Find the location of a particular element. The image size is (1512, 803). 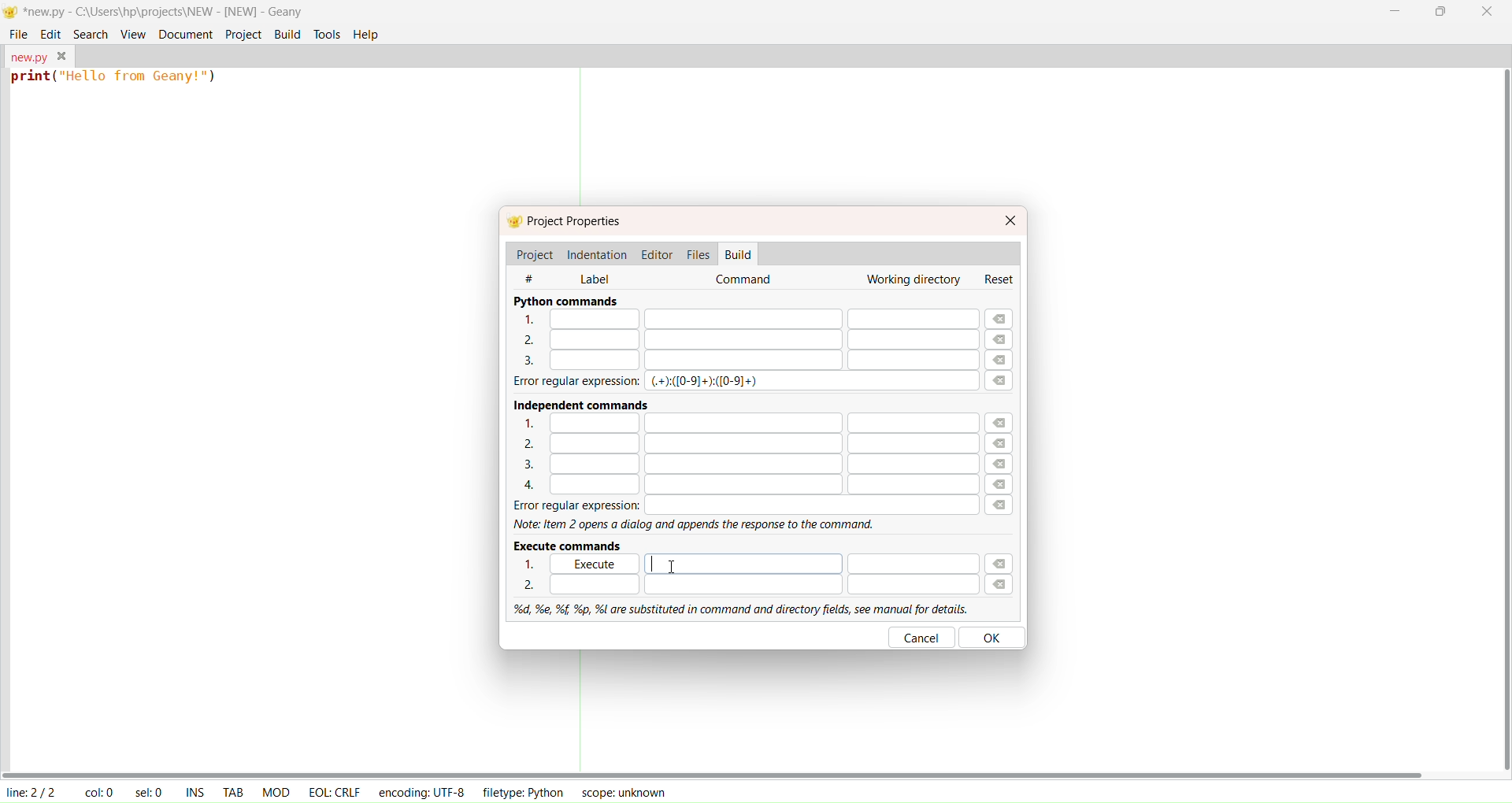

1. is located at coordinates (535, 565).